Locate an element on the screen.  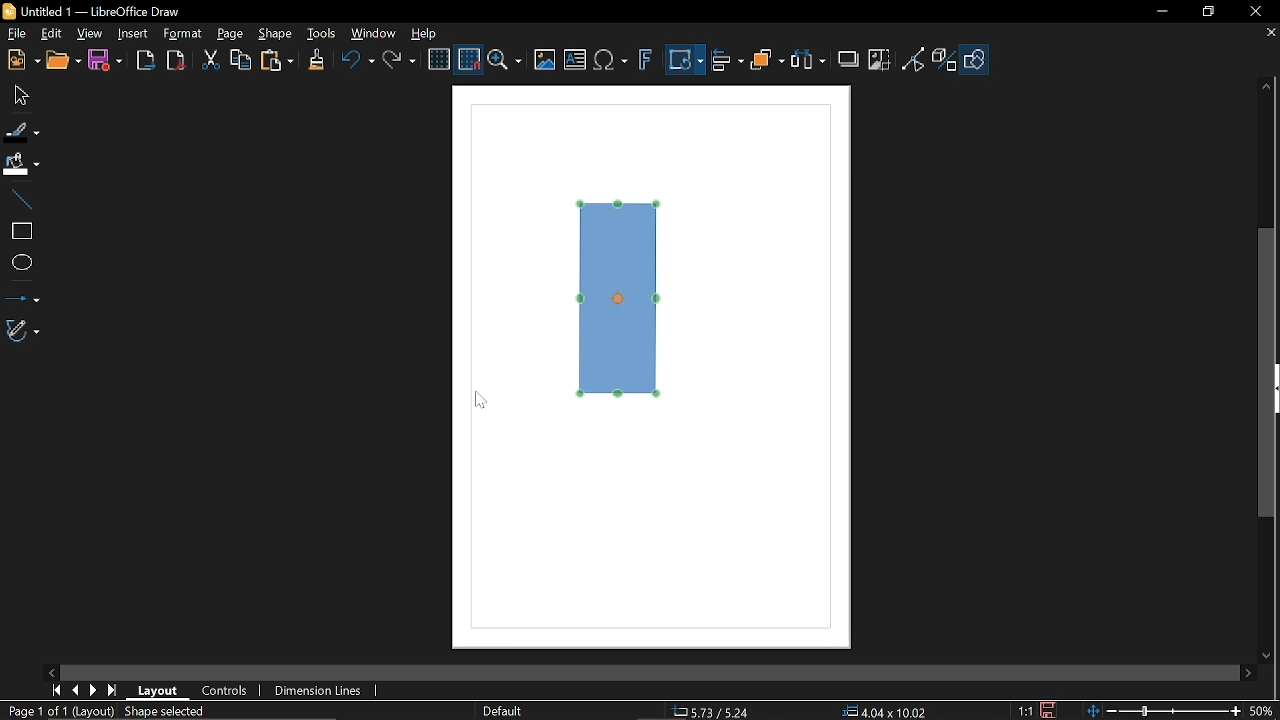
Arrange is located at coordinates (767, 62).